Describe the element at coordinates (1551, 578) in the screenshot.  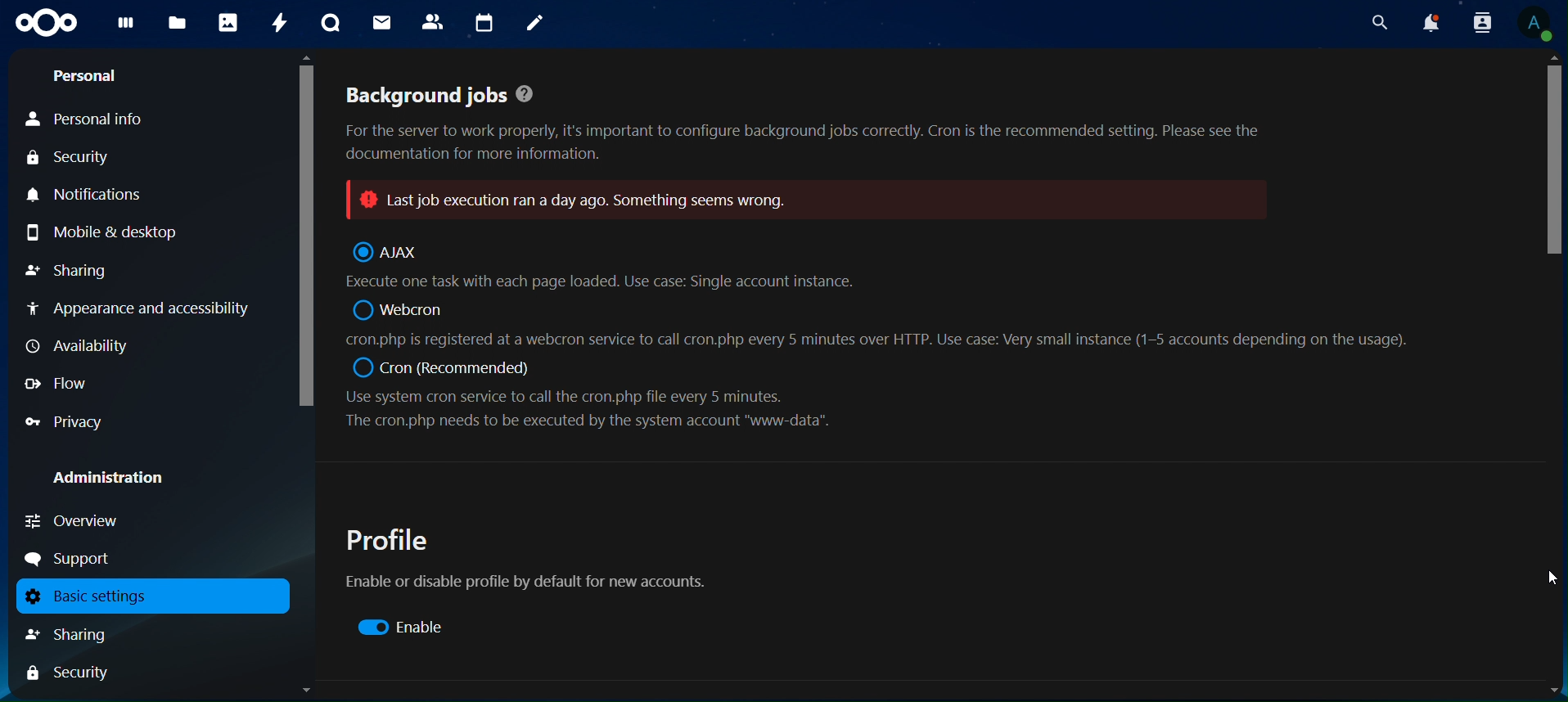
I see `Cursor` at that location.